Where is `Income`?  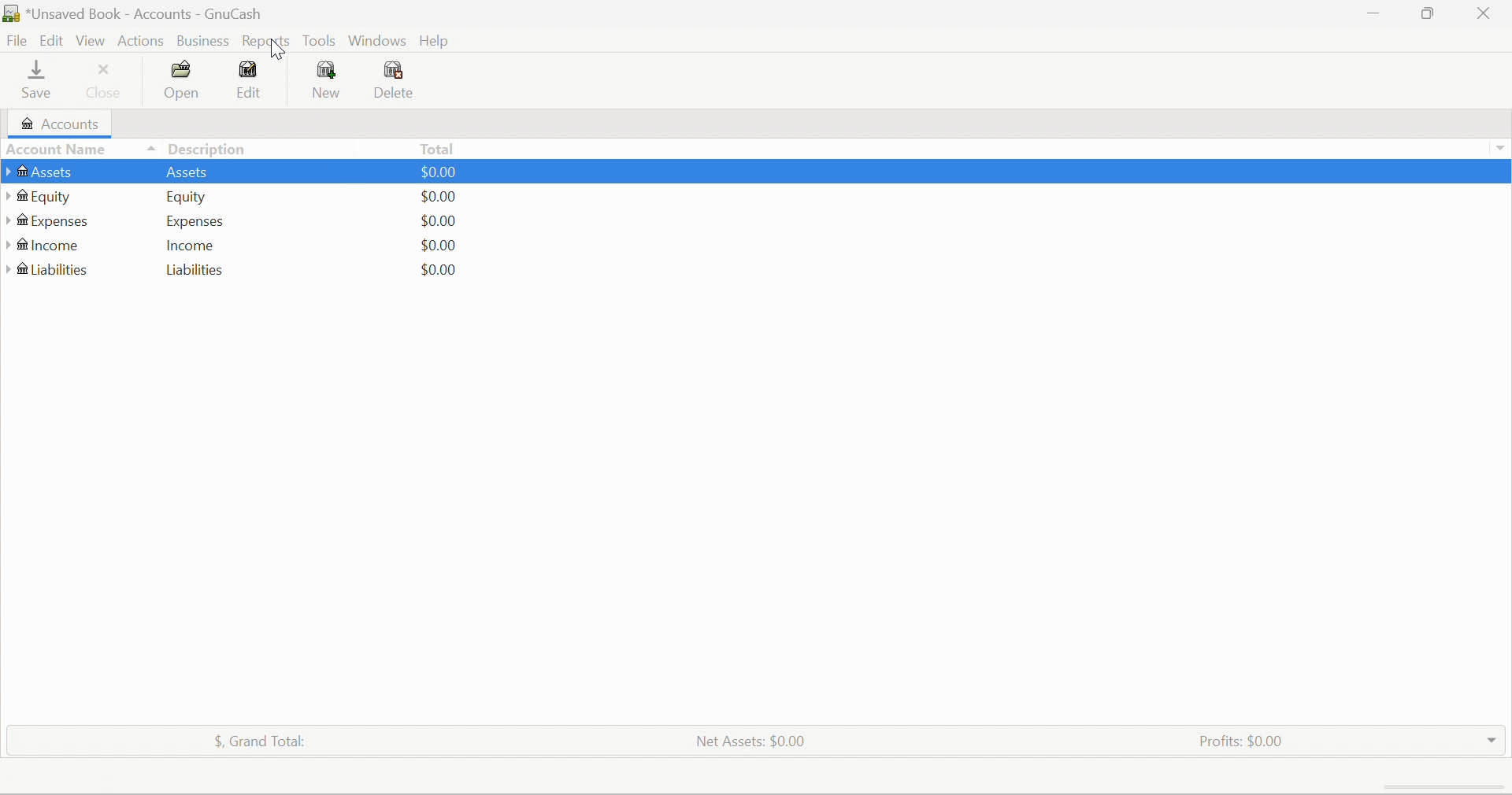 Income is located at coordinates (191, 248).